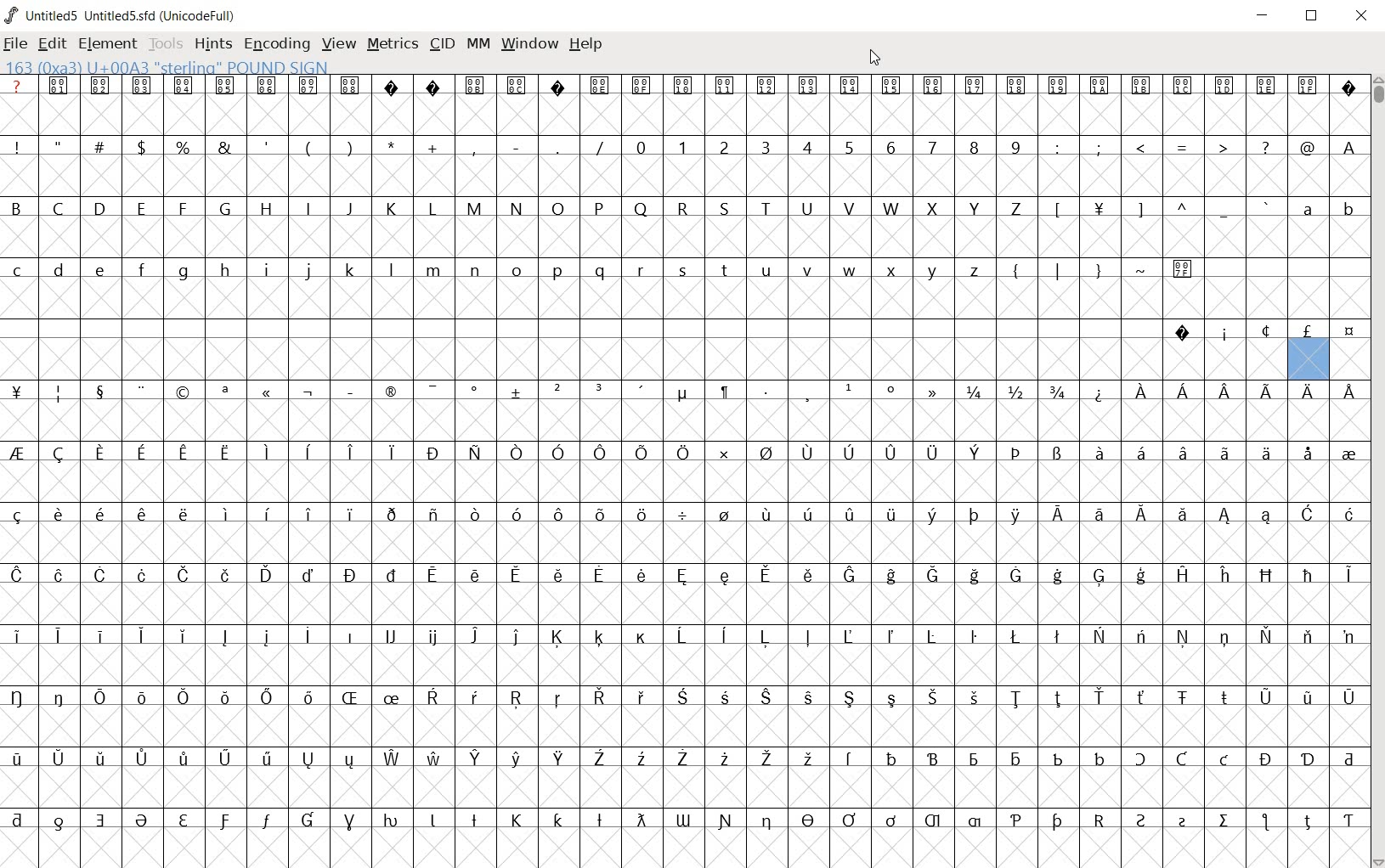 The width and height of the screenshot is (1385, 868). What do you see at coordinates (21, 454) in the screenshot?
I see `Symbol` at bounding box center [21, 454].